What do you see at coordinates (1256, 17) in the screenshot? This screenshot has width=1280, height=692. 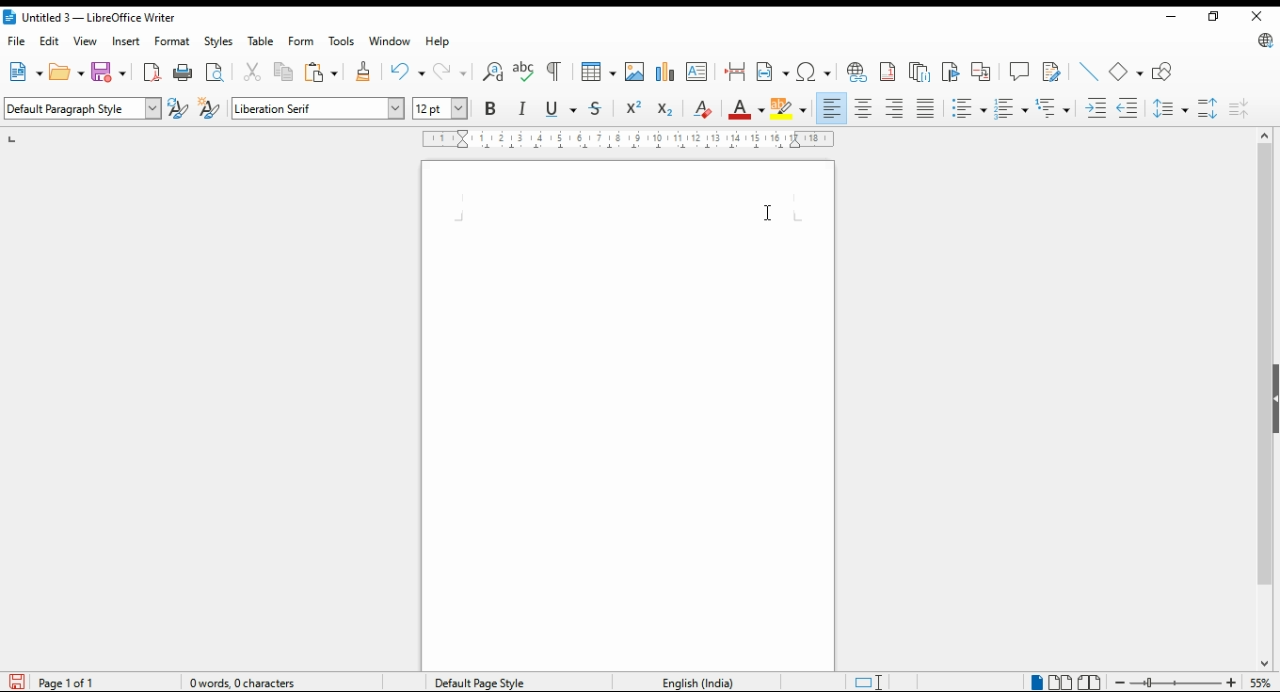 I see `close window` at bounding box center [1256, 17].